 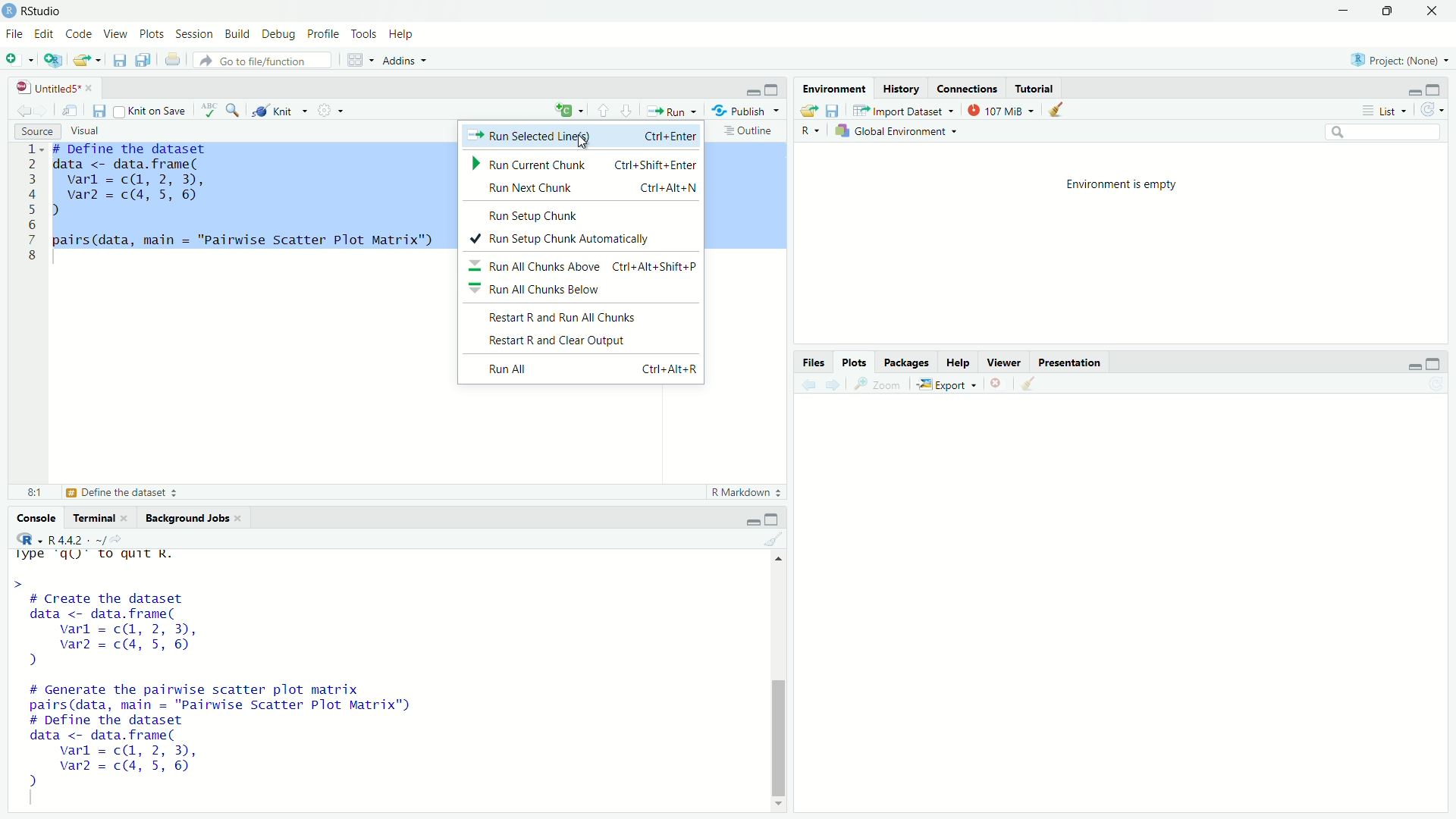 I want to click on 8:1, so click(x=36, y=491).